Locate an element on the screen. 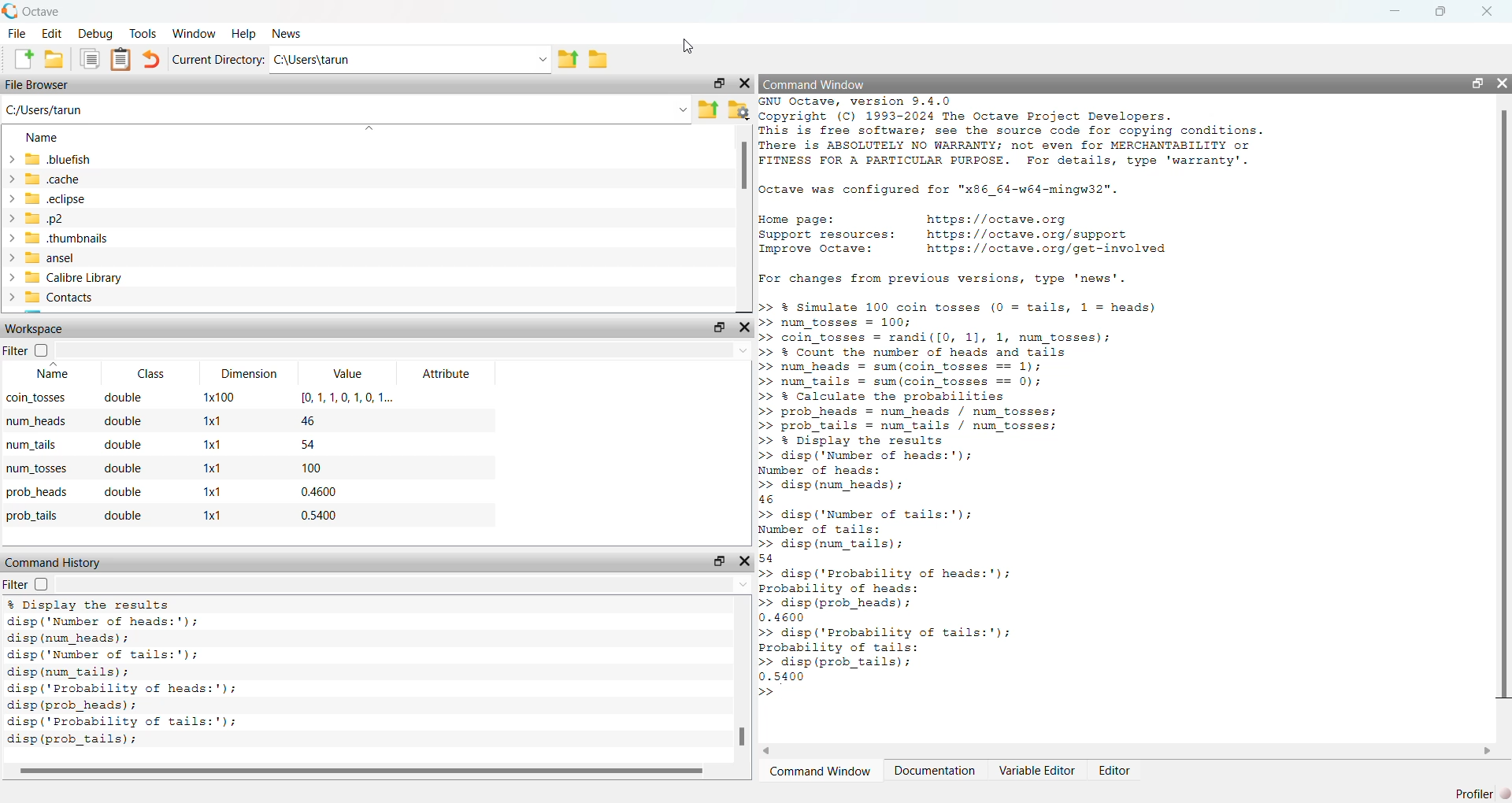  1x1 is located at coordinates (211, 490).